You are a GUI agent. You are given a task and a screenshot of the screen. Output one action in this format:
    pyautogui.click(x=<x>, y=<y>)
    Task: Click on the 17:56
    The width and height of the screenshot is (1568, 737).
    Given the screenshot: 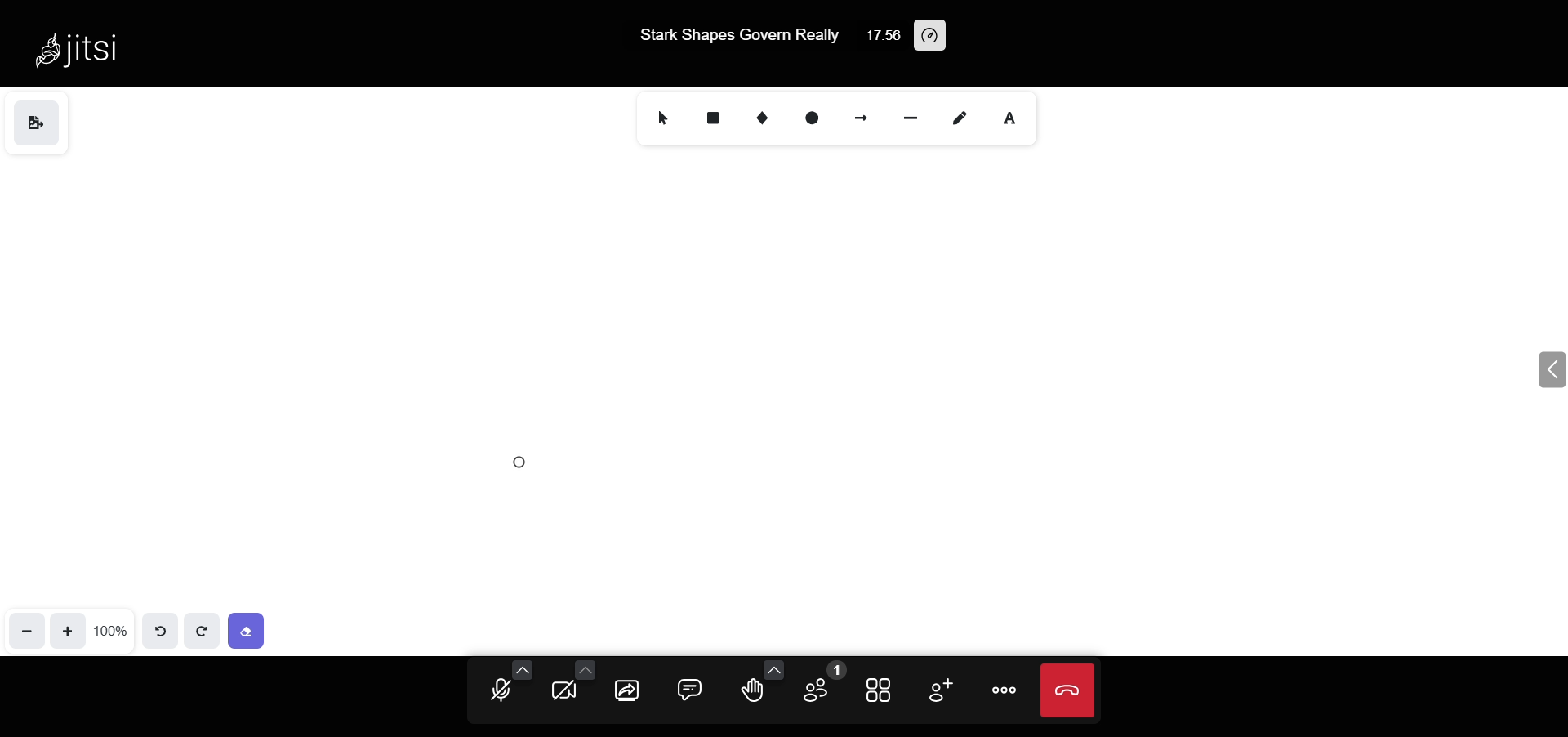 What is the action you would take?
    pyautogui.click(x=880, y=35)
    